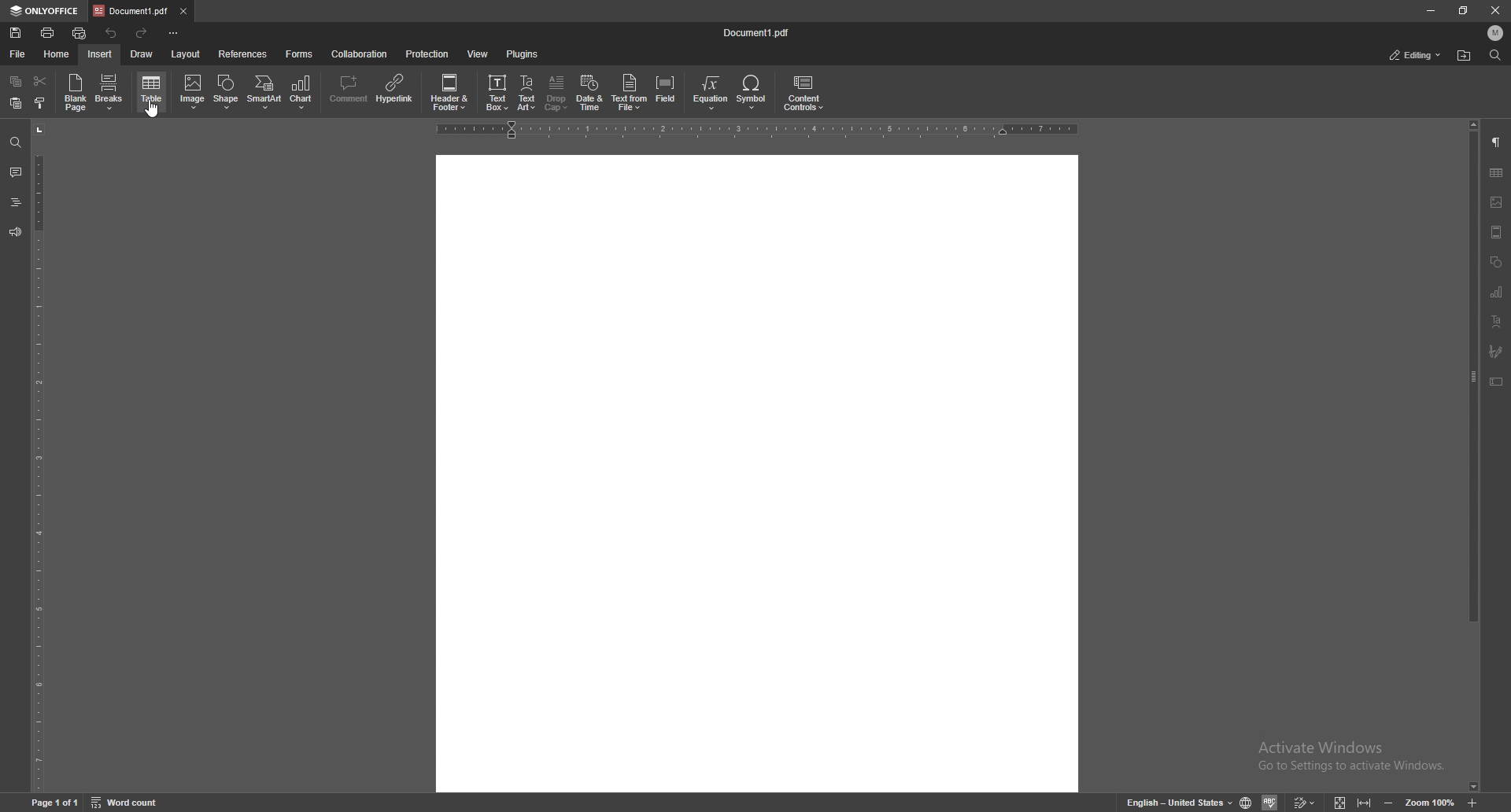 This screenshot has height=812, width=1511. What do you see at coordinates (113, 32) in the screenshot?
I see `undo` at bounding box center [113, 32].